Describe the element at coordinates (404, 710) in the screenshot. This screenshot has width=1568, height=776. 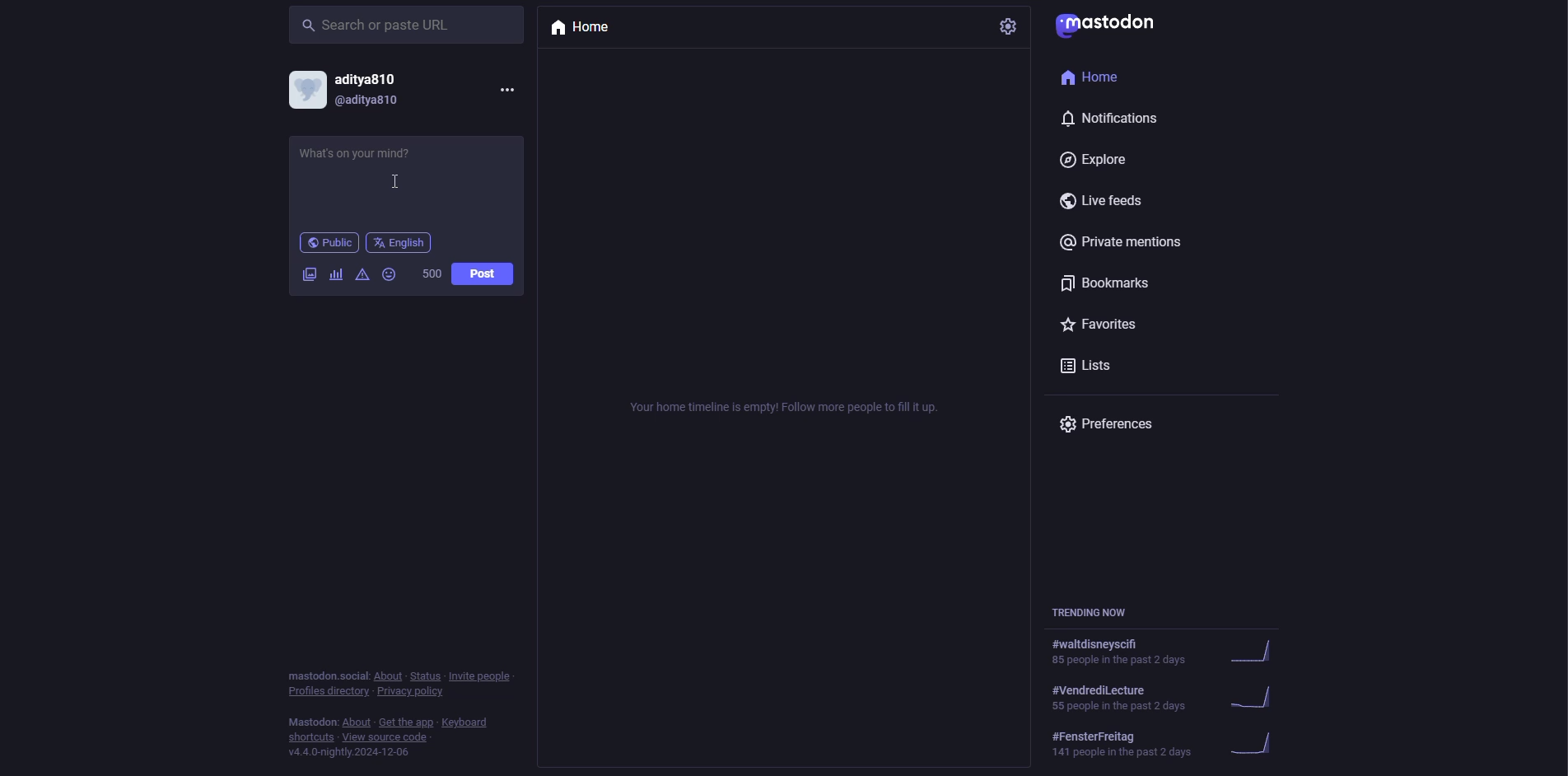
I see `info` at that location.